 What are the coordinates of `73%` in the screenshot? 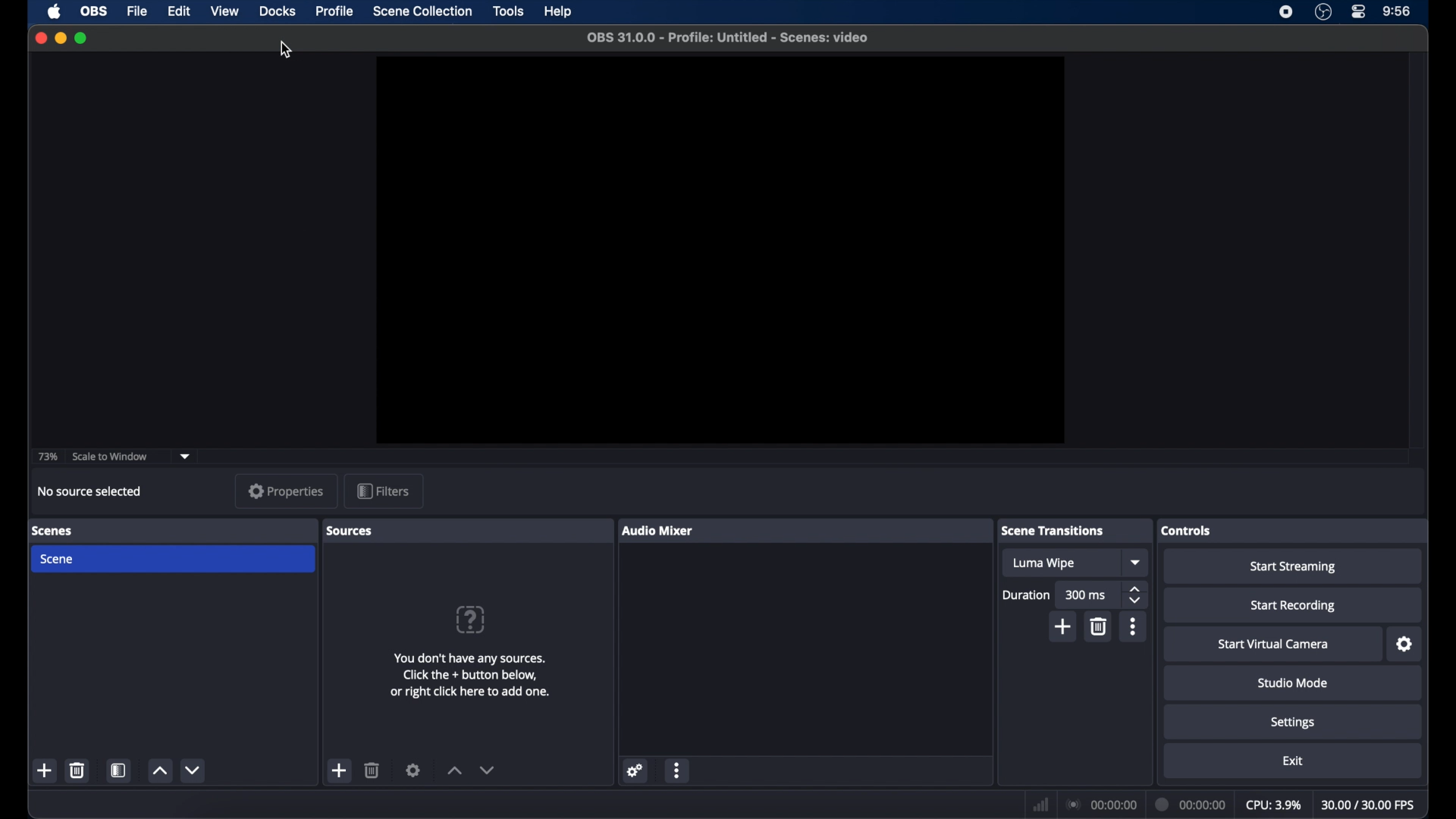 It's located at (47, 457).